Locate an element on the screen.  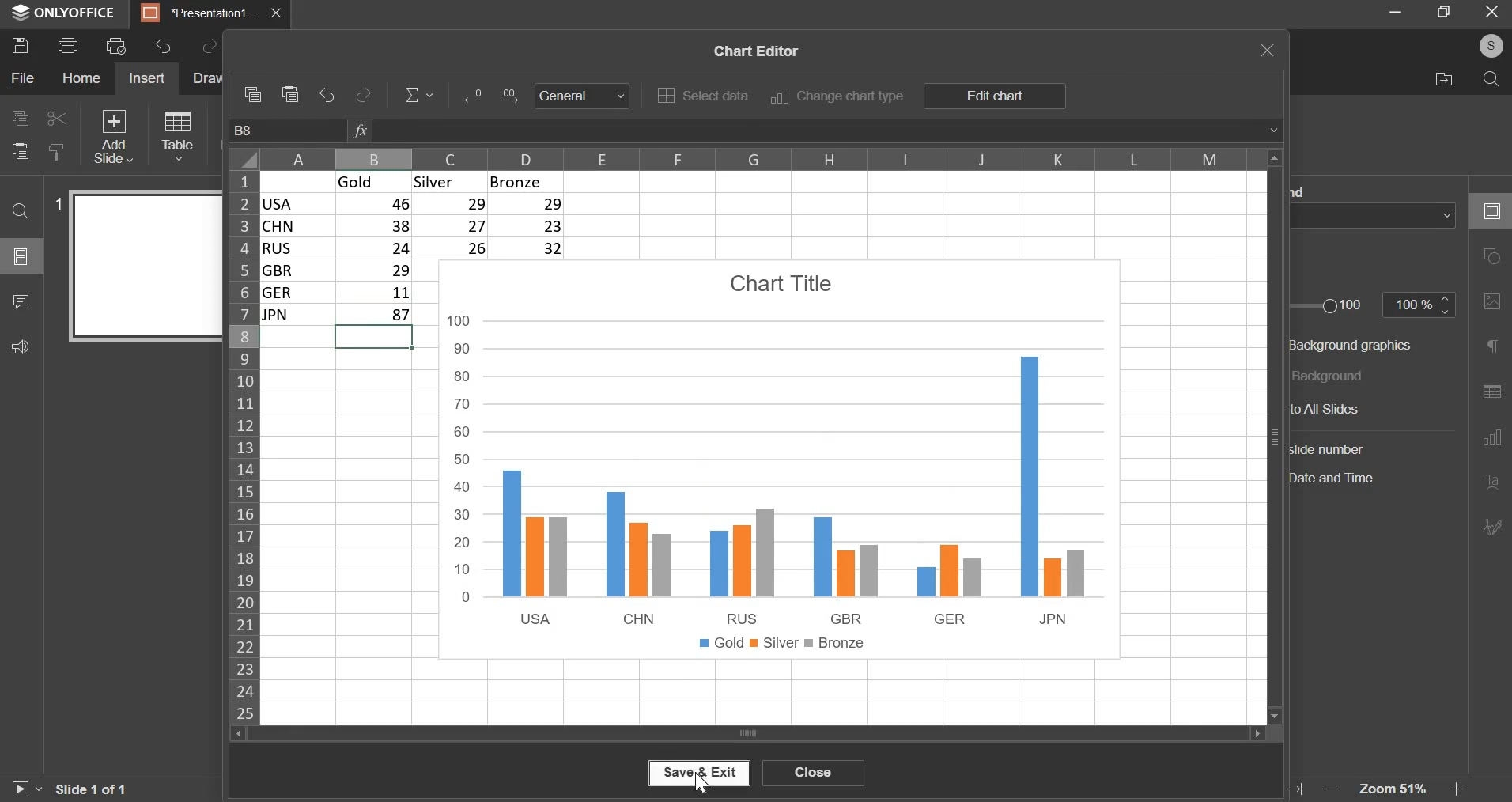
paste is located at coordinates (292, 95).